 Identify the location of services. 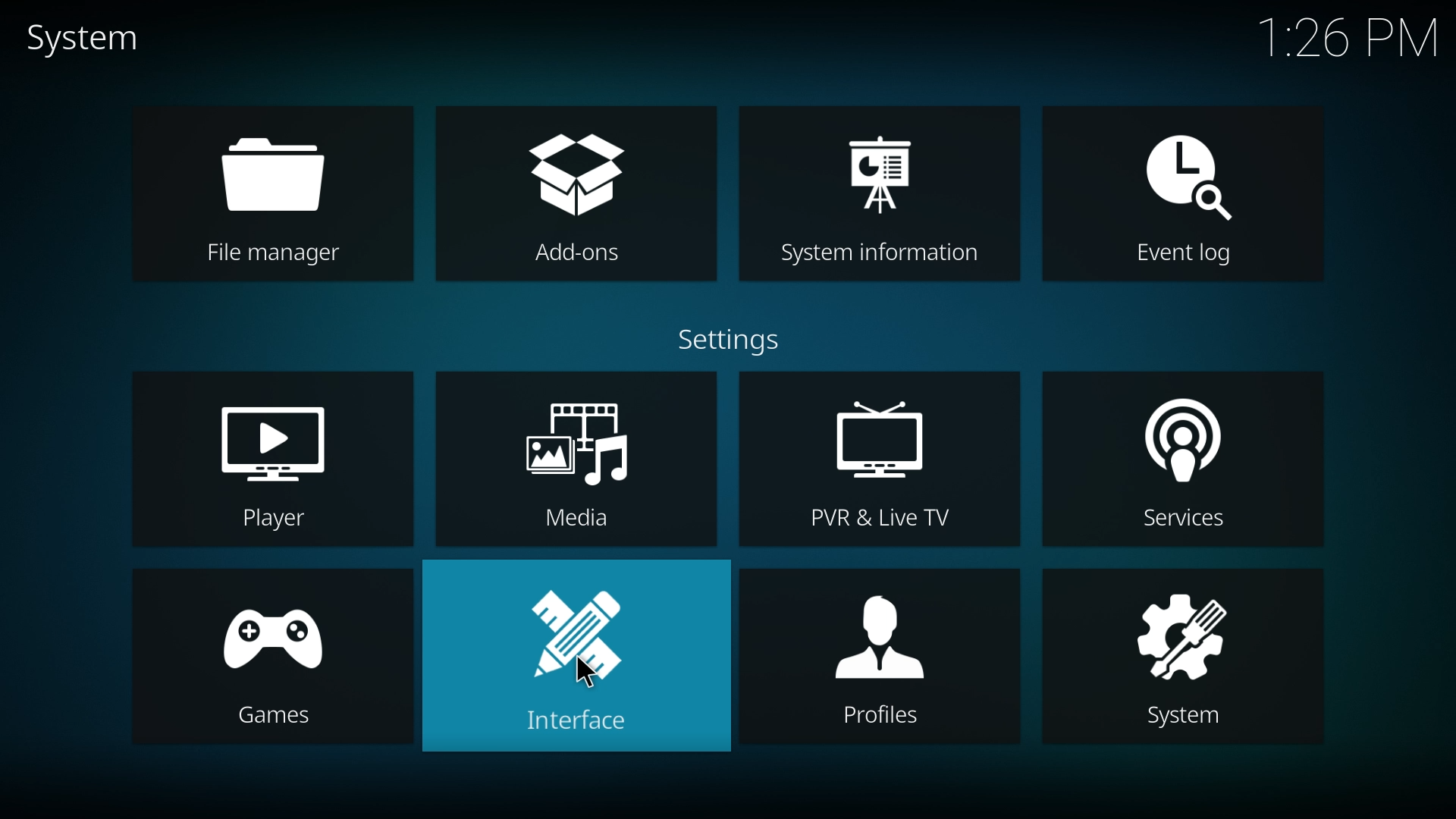
(1181, 458).